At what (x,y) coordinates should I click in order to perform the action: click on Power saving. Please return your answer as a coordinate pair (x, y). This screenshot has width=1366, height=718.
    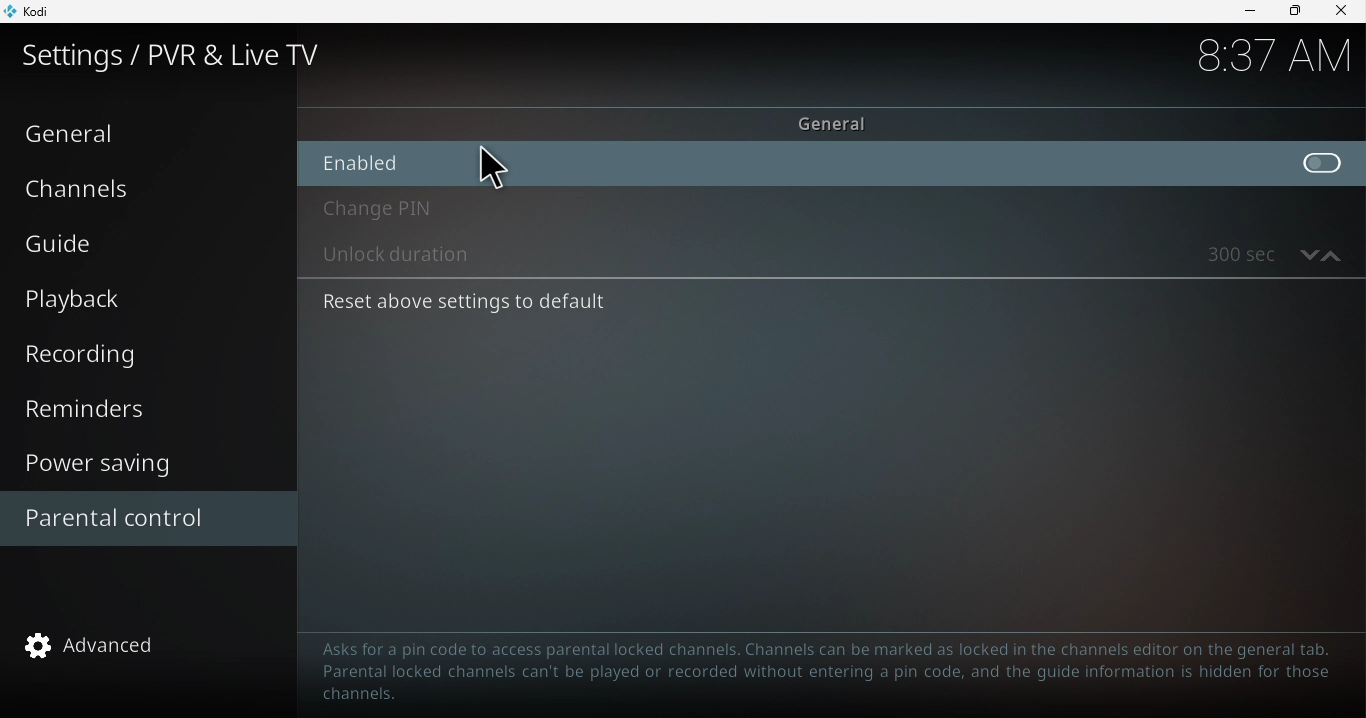
    Looking at the image, I should click on (149, 464).